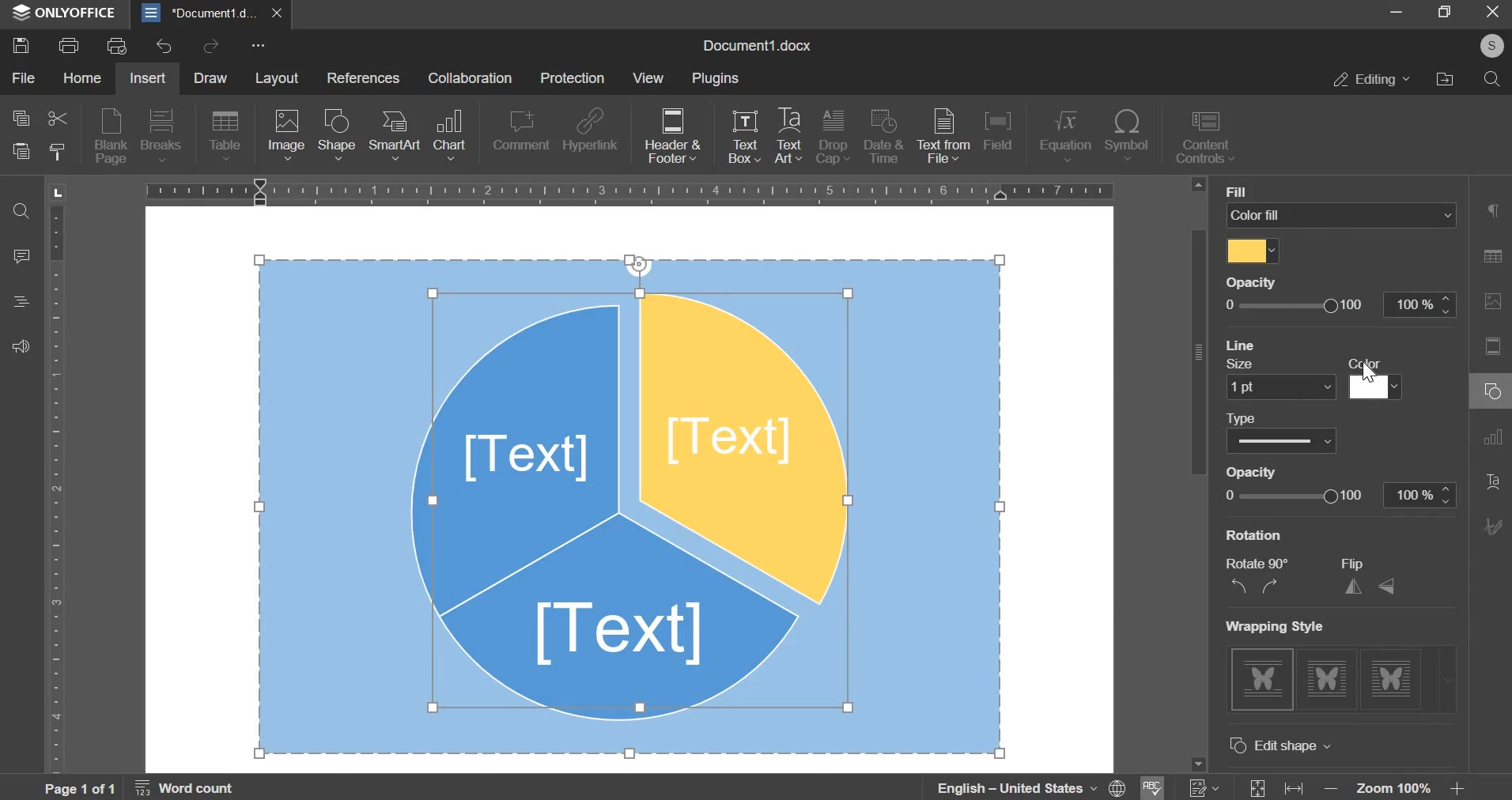 The width and height of the screenshot is (1512, 800). What do you see at coordinates (21, 155) in the screenshot?
I see `paste` at bounding box center [21, 155].